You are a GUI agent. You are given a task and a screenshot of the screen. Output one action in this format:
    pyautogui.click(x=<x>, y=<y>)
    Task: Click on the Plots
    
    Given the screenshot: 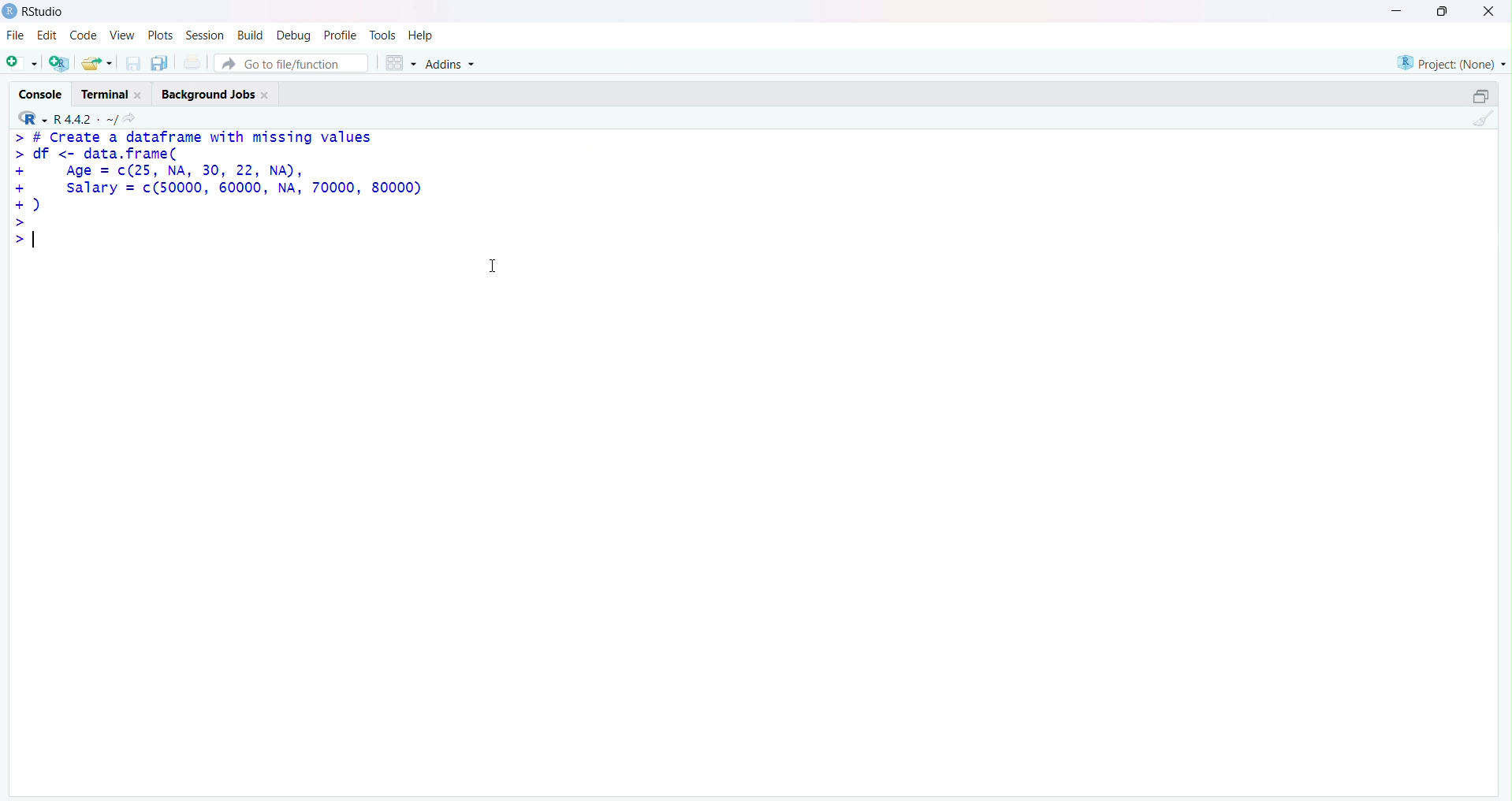 What is the action you would take?
    pyautogui.click(x=158, y=35)
    